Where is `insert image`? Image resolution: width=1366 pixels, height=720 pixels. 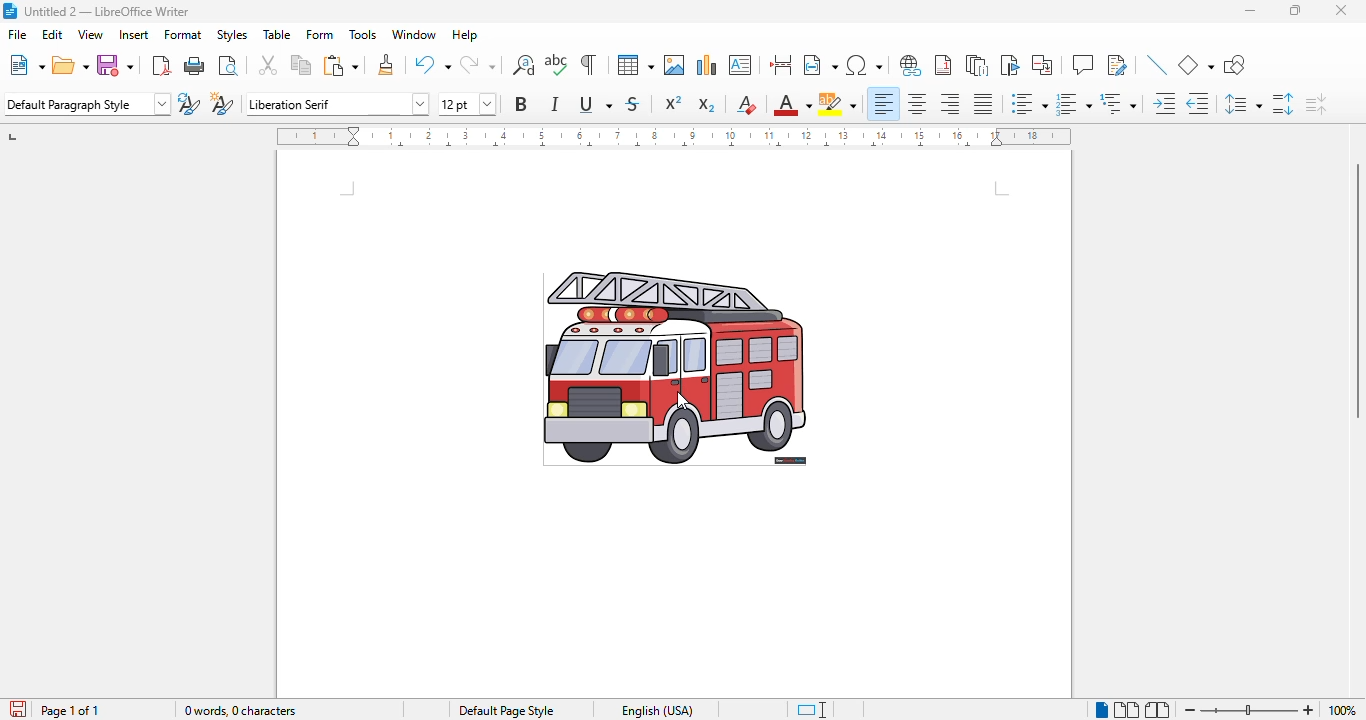
insert image is located at coordinates (675, 65).